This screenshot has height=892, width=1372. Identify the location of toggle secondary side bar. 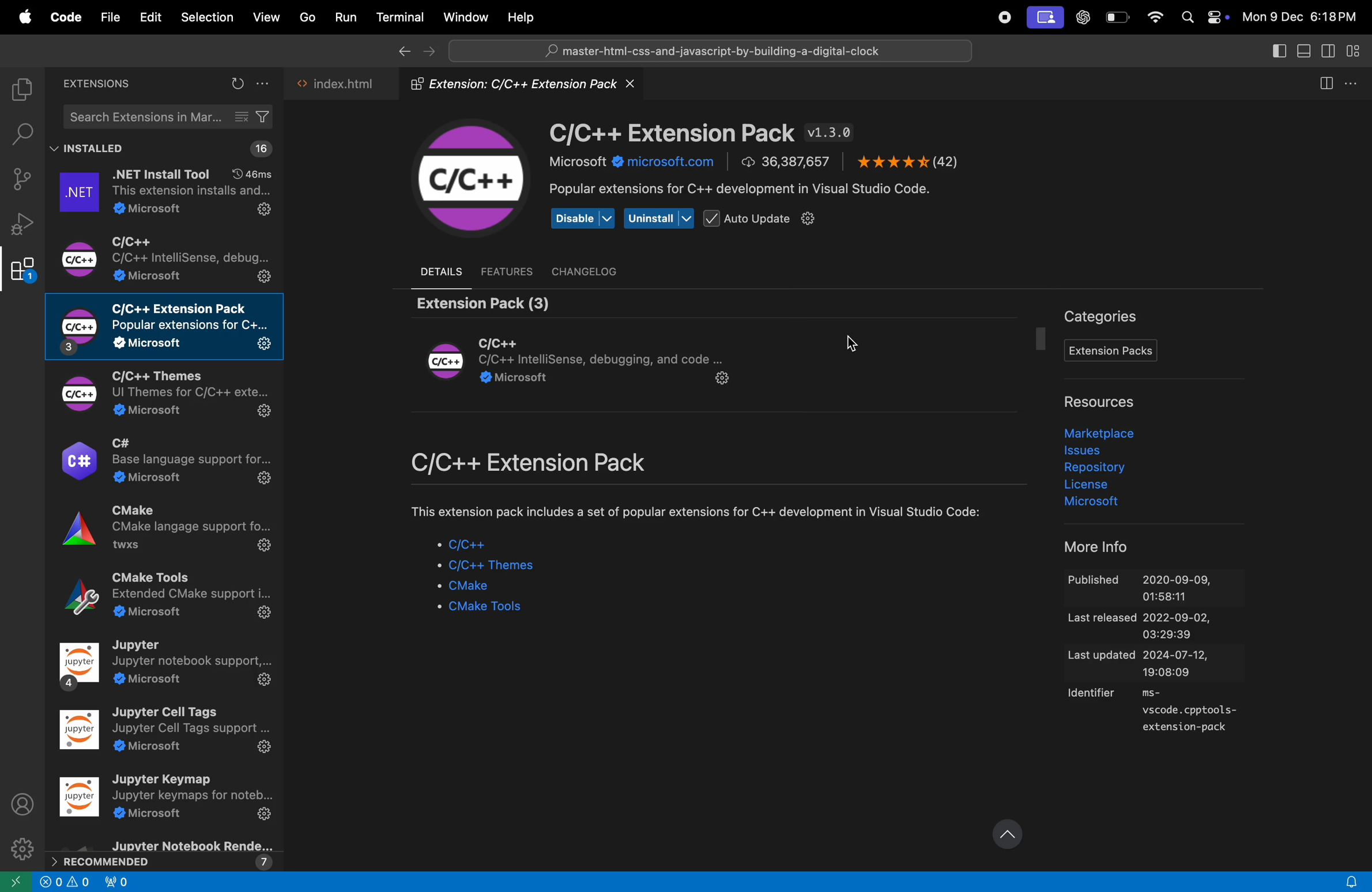
(1276, 50).